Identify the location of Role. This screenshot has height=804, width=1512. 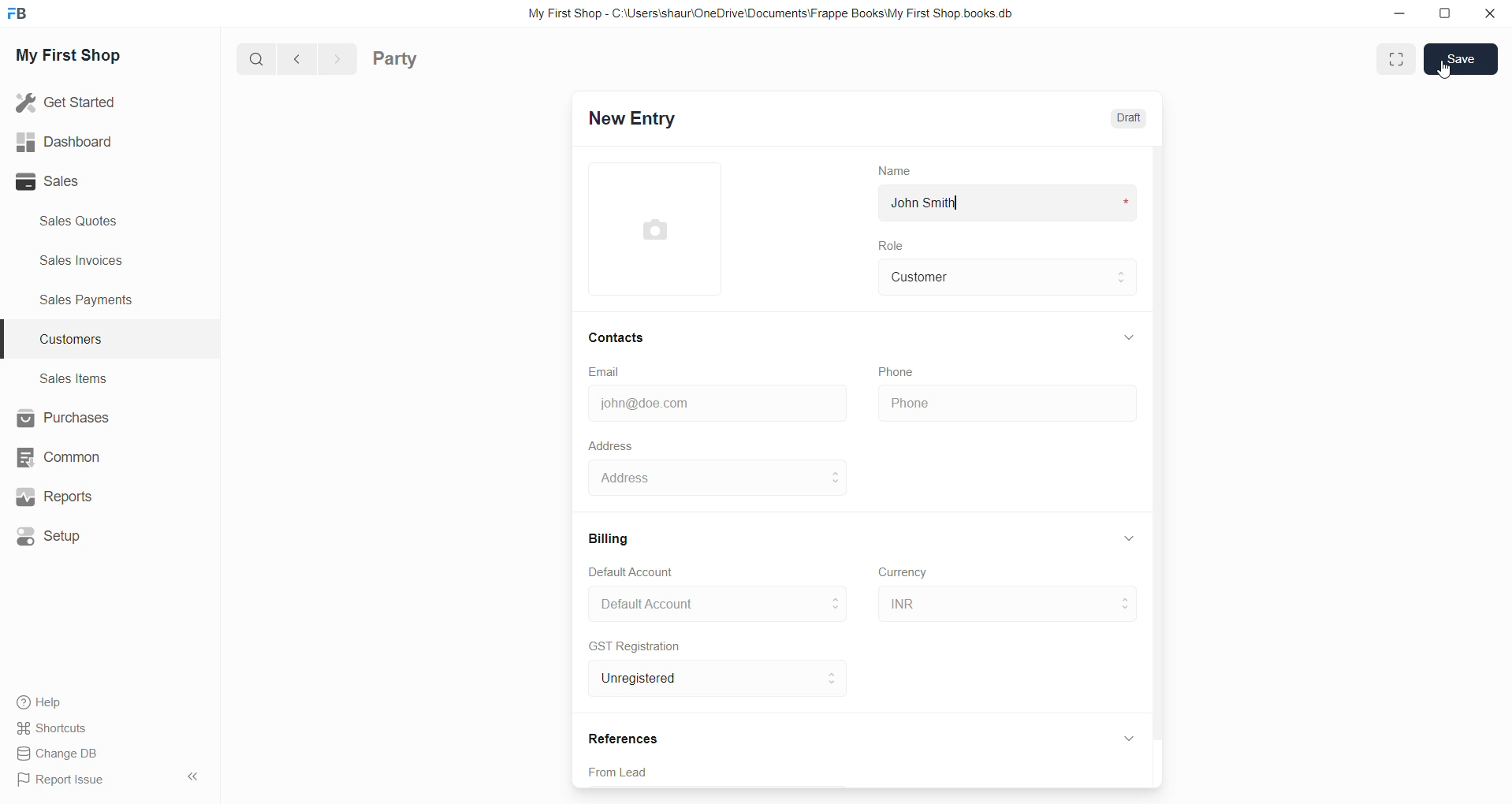
(896, 247).